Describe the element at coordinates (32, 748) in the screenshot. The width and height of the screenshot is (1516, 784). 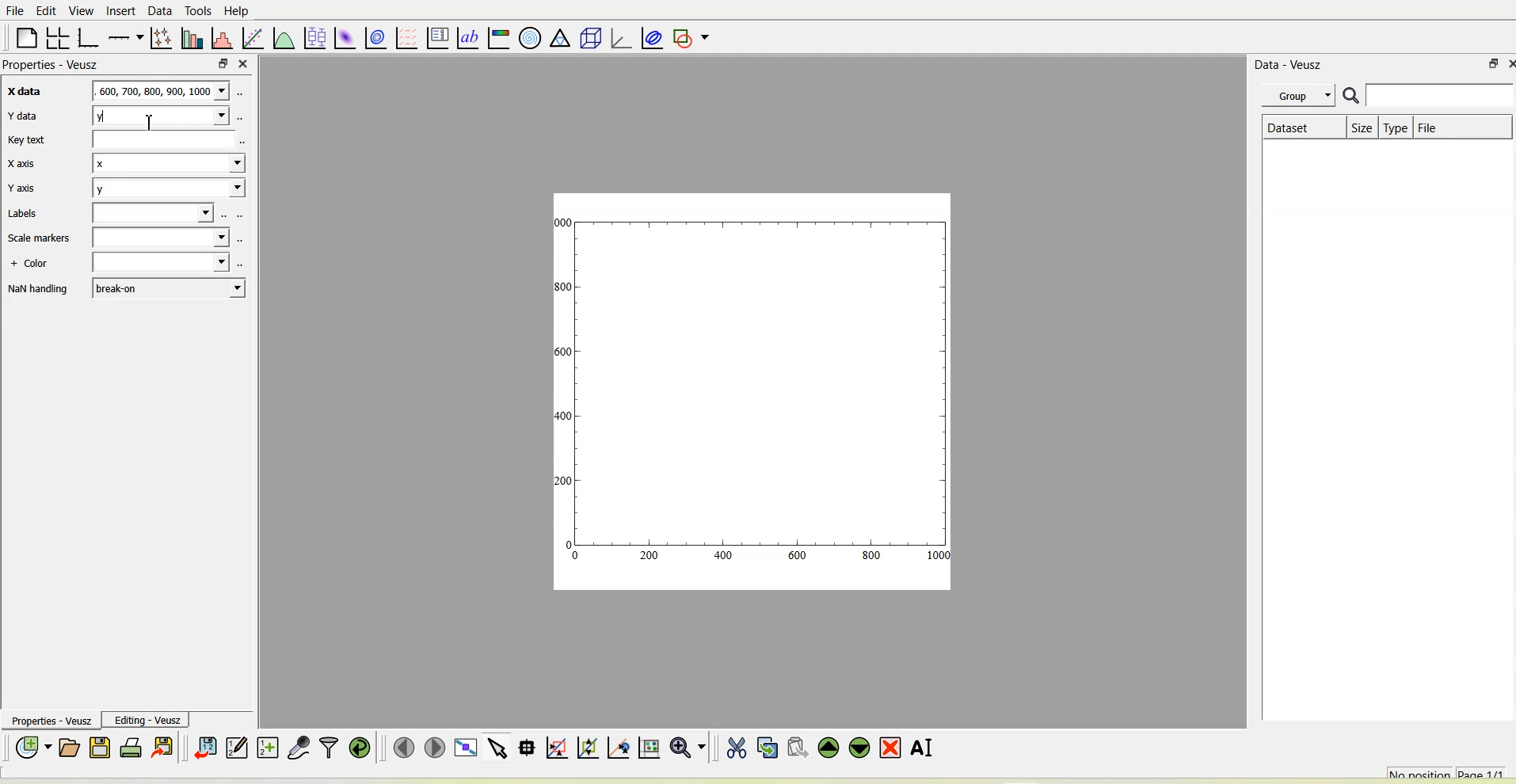
I see `New document` at that location.